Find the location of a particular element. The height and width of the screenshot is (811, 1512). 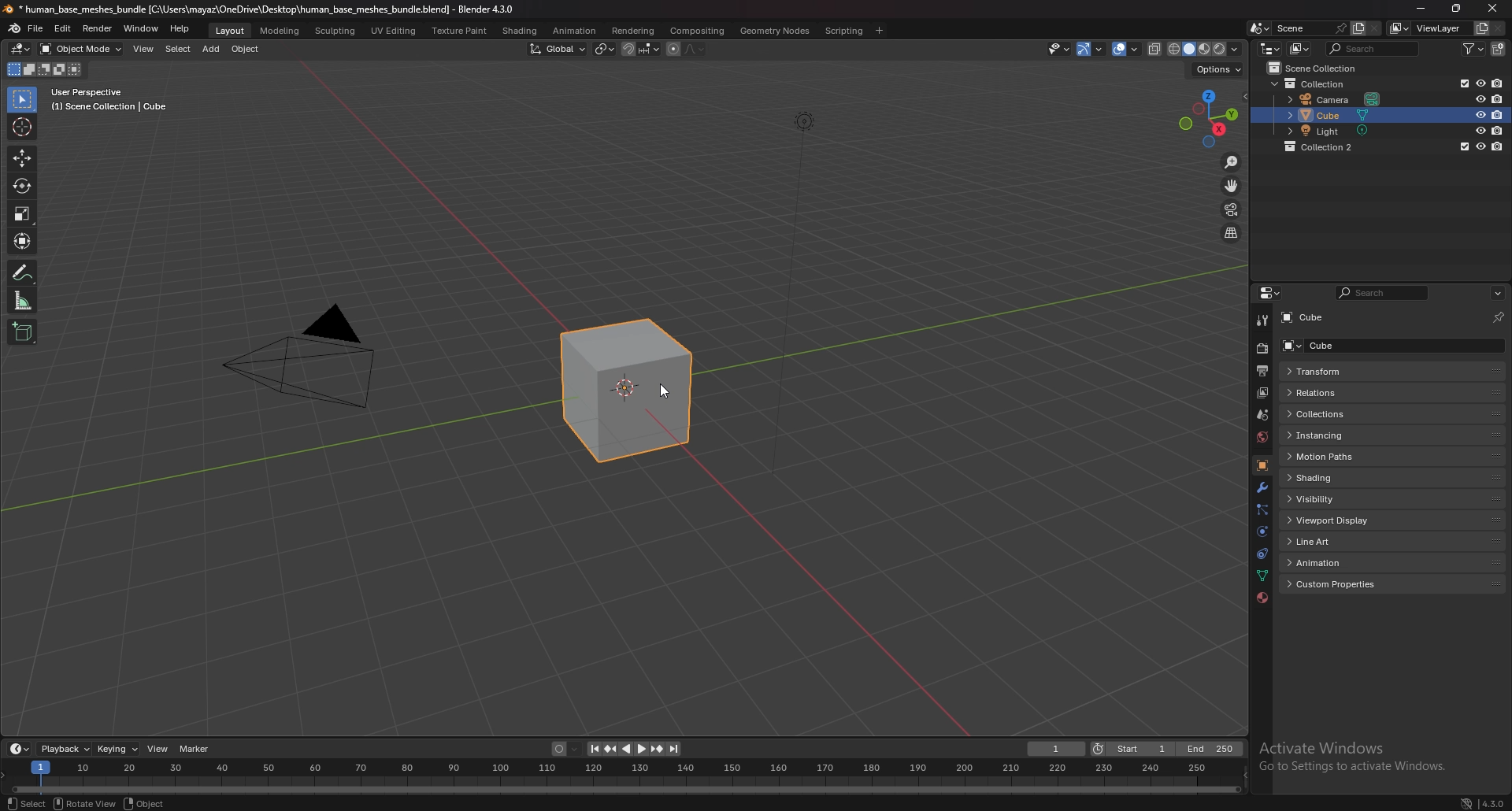

snapping is located at coordinates (641, 49).